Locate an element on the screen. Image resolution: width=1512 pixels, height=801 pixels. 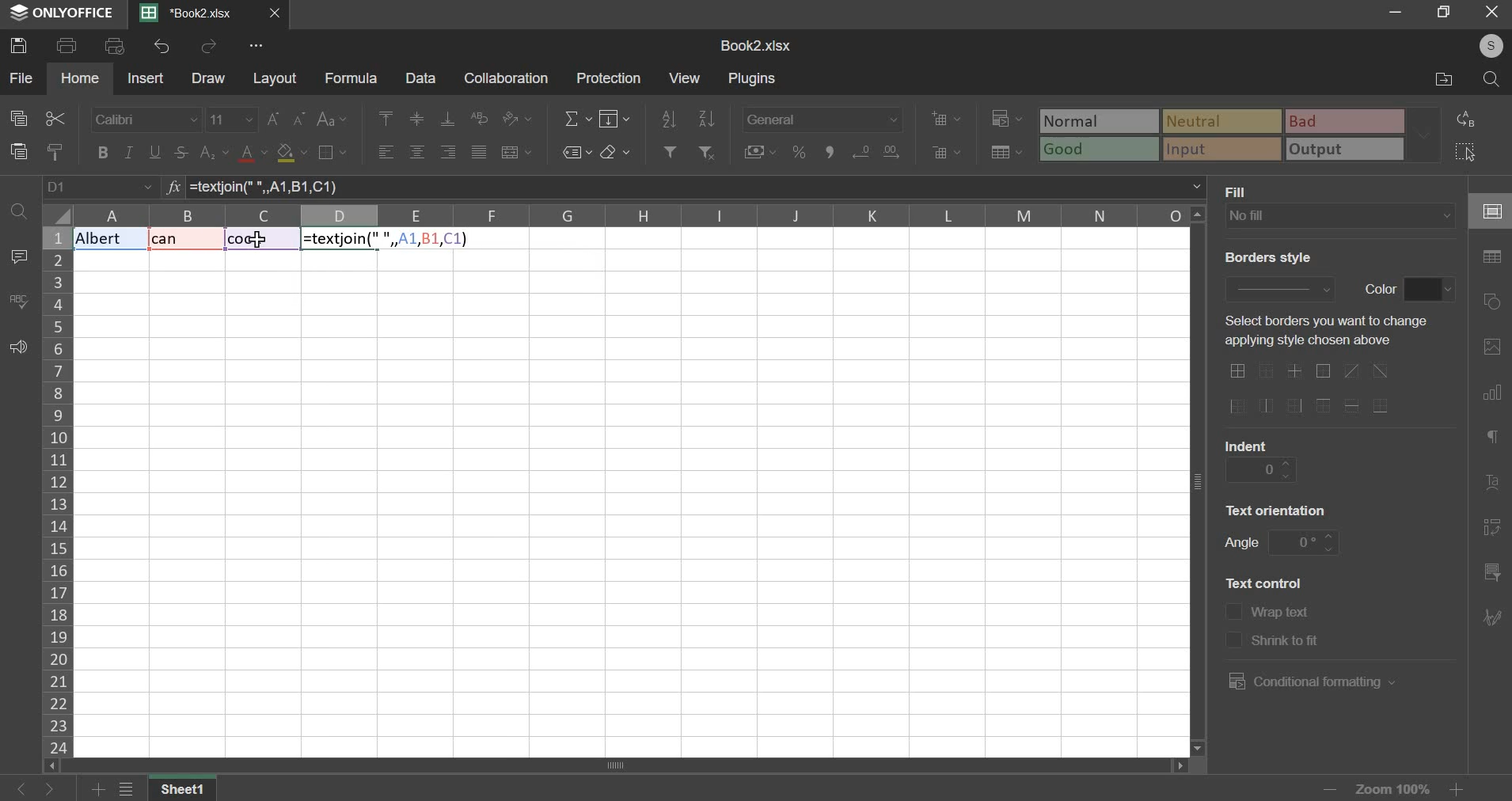
delete cells is located at coordinates (947, 152).